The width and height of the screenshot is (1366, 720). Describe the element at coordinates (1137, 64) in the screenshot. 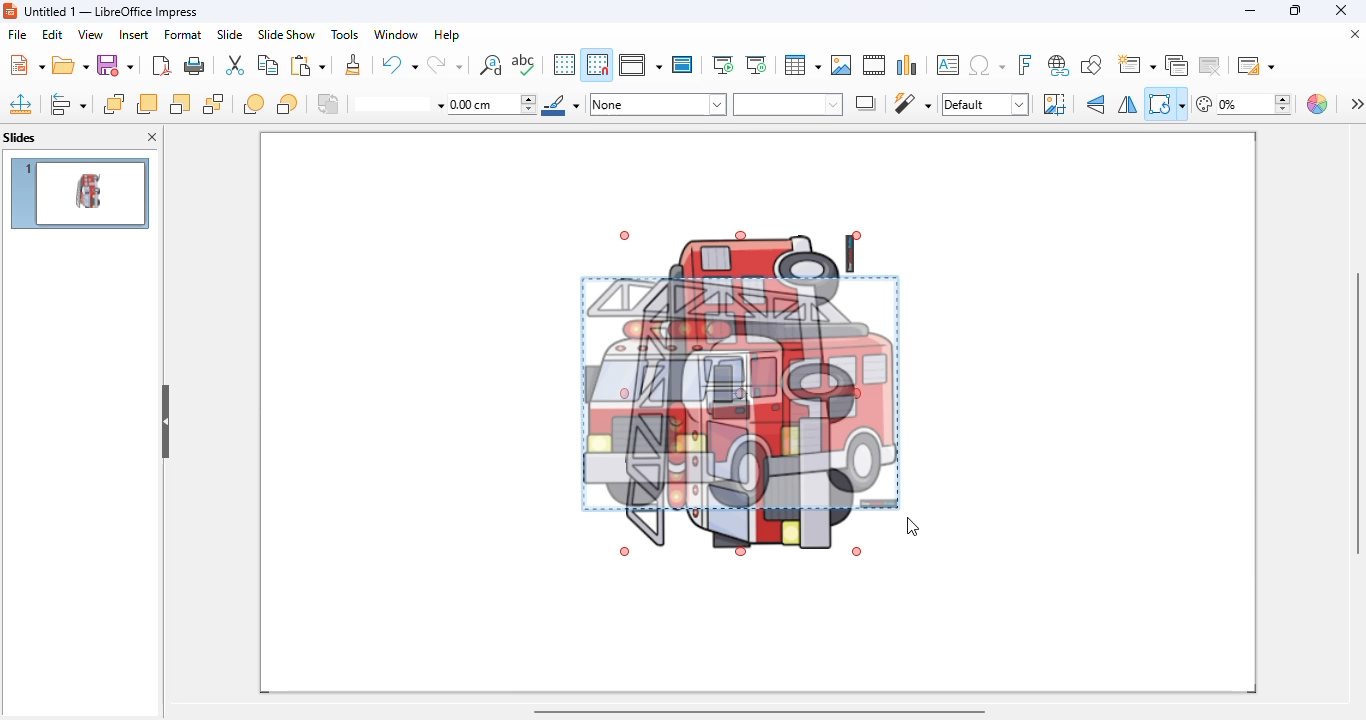

I see `new slide` at that location.